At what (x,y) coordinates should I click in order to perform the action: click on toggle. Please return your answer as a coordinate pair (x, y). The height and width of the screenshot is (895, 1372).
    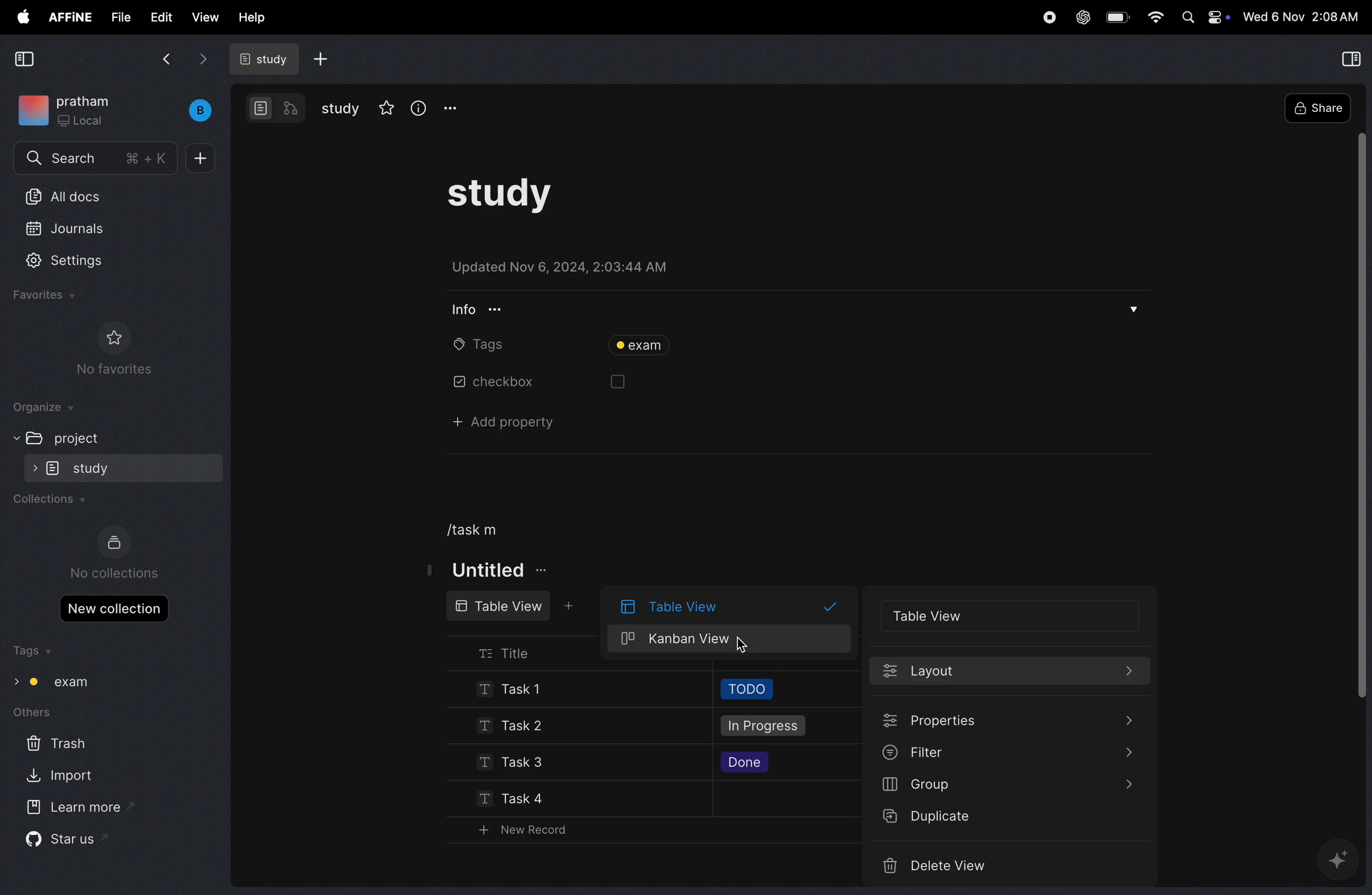
    Looking at the image, I should click on (1359, 416).